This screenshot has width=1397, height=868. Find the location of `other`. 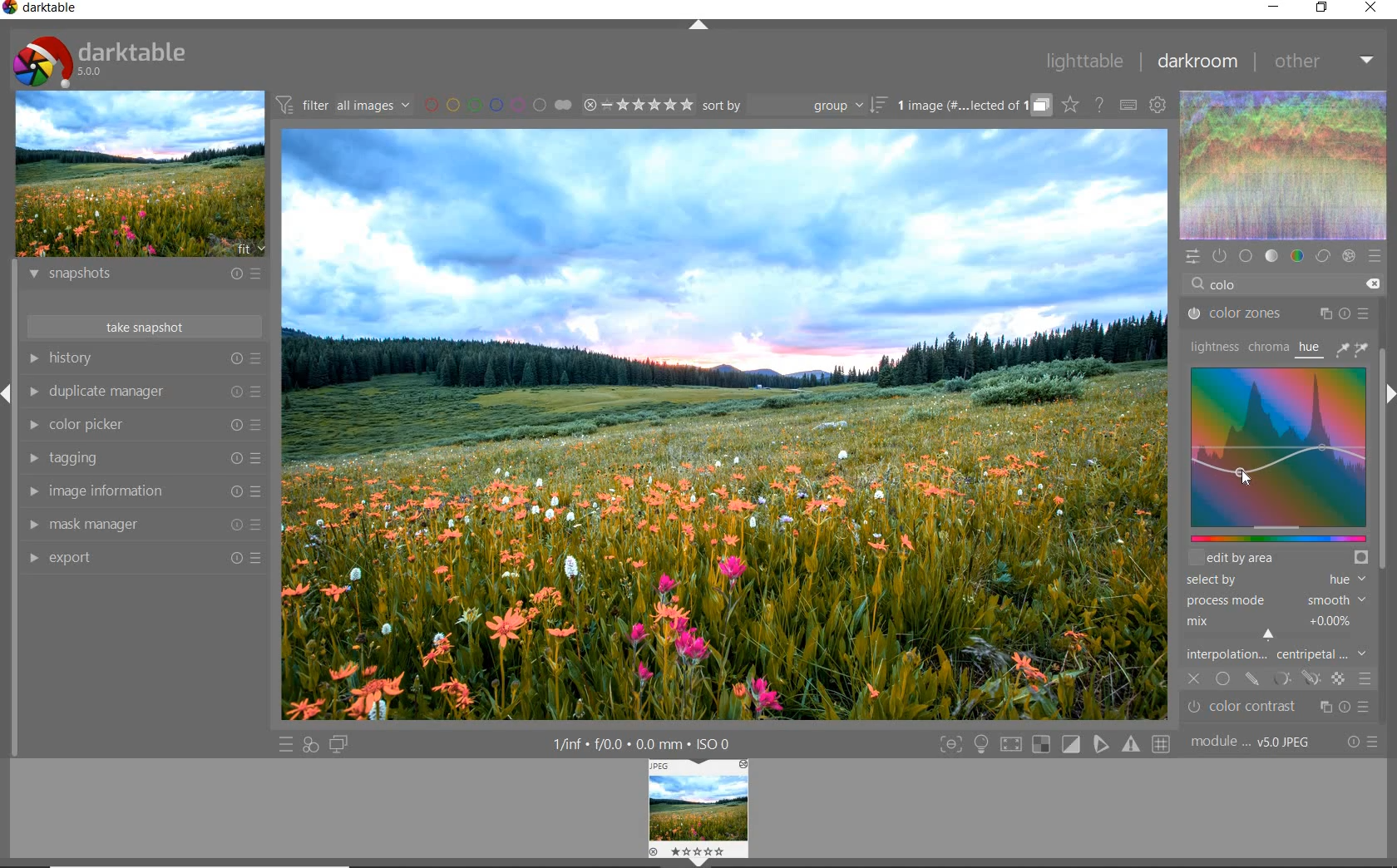

other is located at coordinates (1326, 61).